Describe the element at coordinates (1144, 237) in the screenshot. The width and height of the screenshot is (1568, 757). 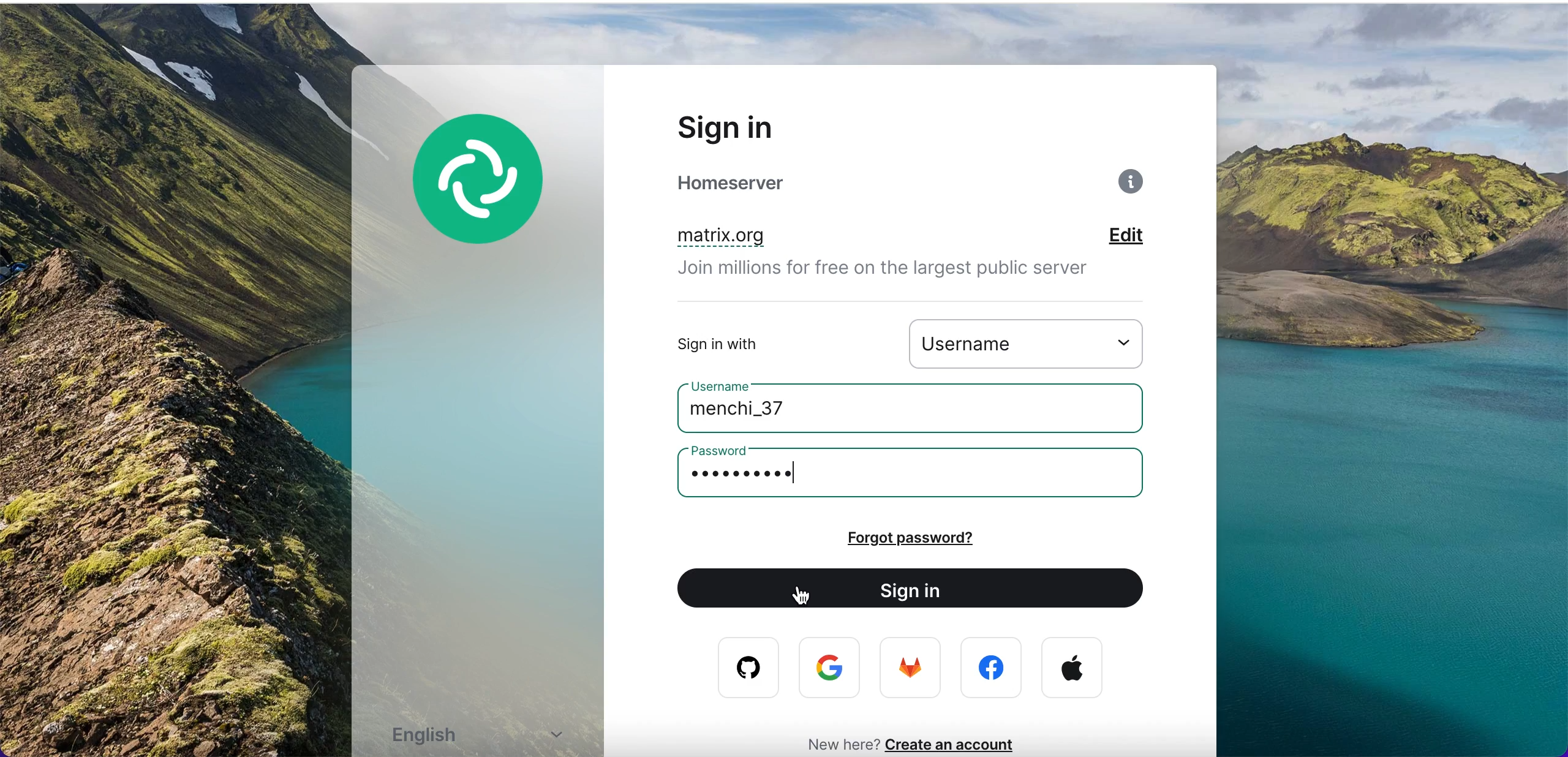
I see `edit` at that location.